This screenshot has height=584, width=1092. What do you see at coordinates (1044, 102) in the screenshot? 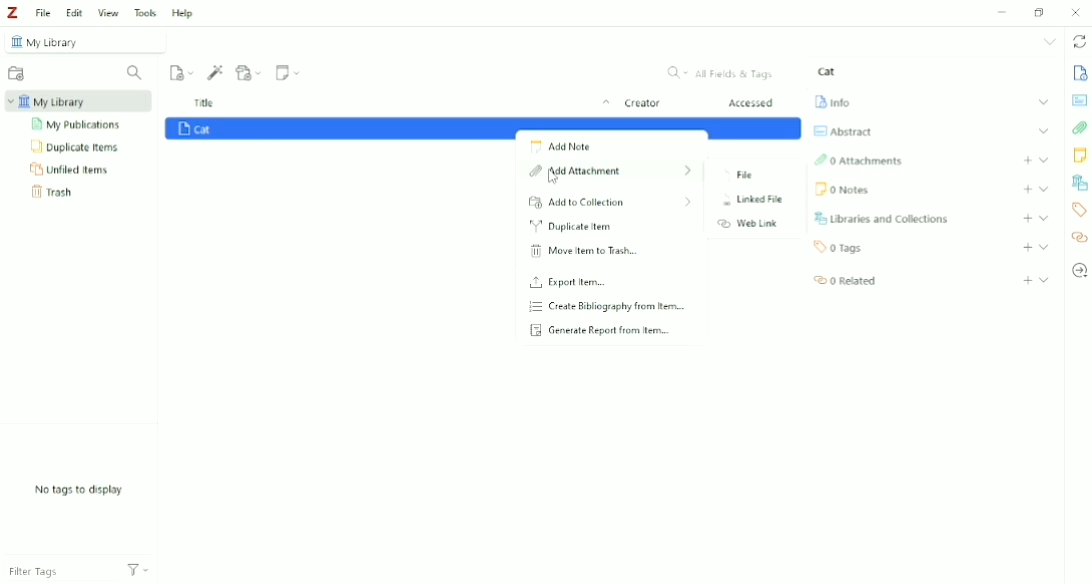
I see `Expand section` at bounding box center [1044, 102].